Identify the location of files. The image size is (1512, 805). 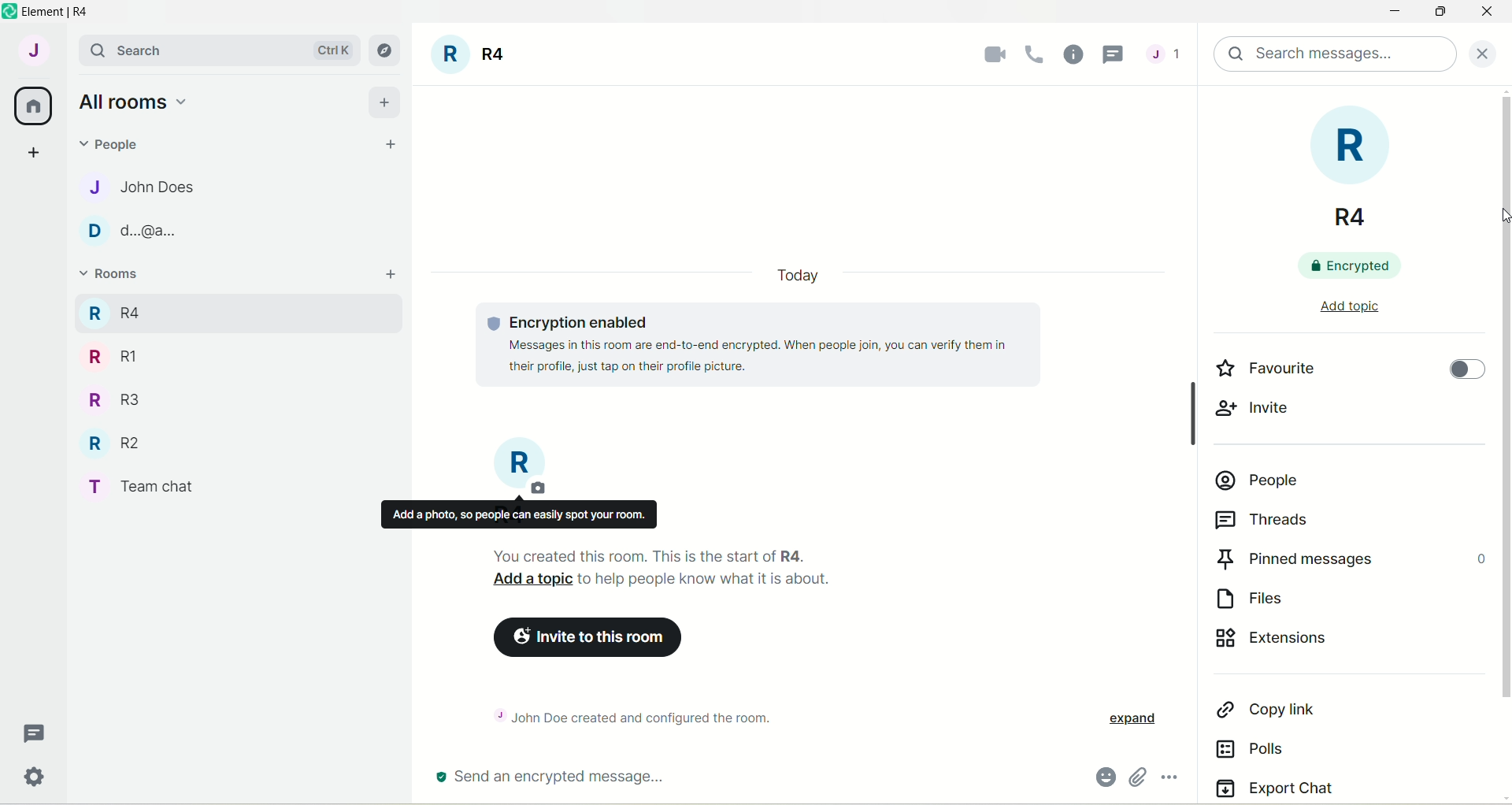
(1262, 597).